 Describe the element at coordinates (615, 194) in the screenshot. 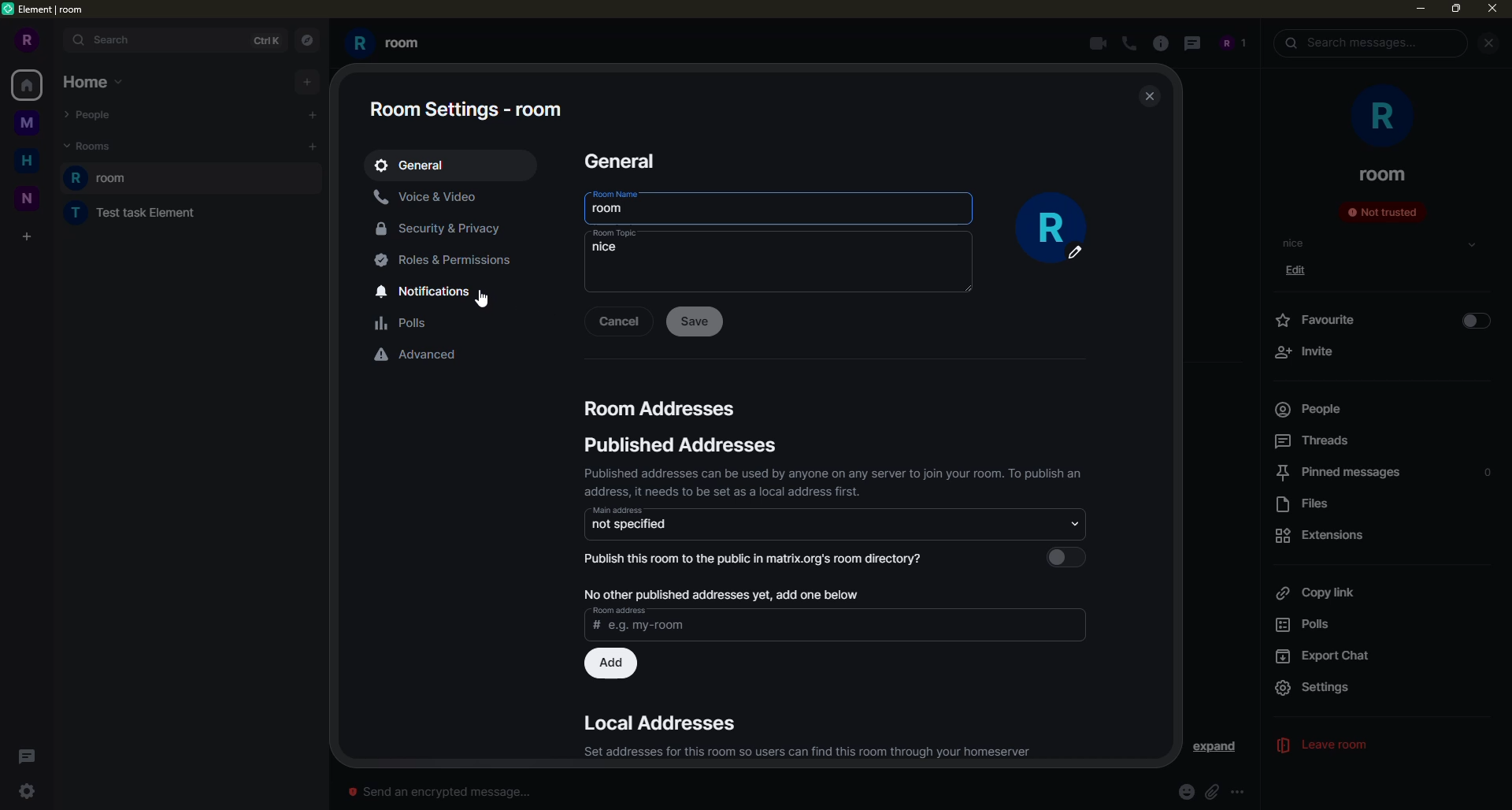

I see `room name` at that location.